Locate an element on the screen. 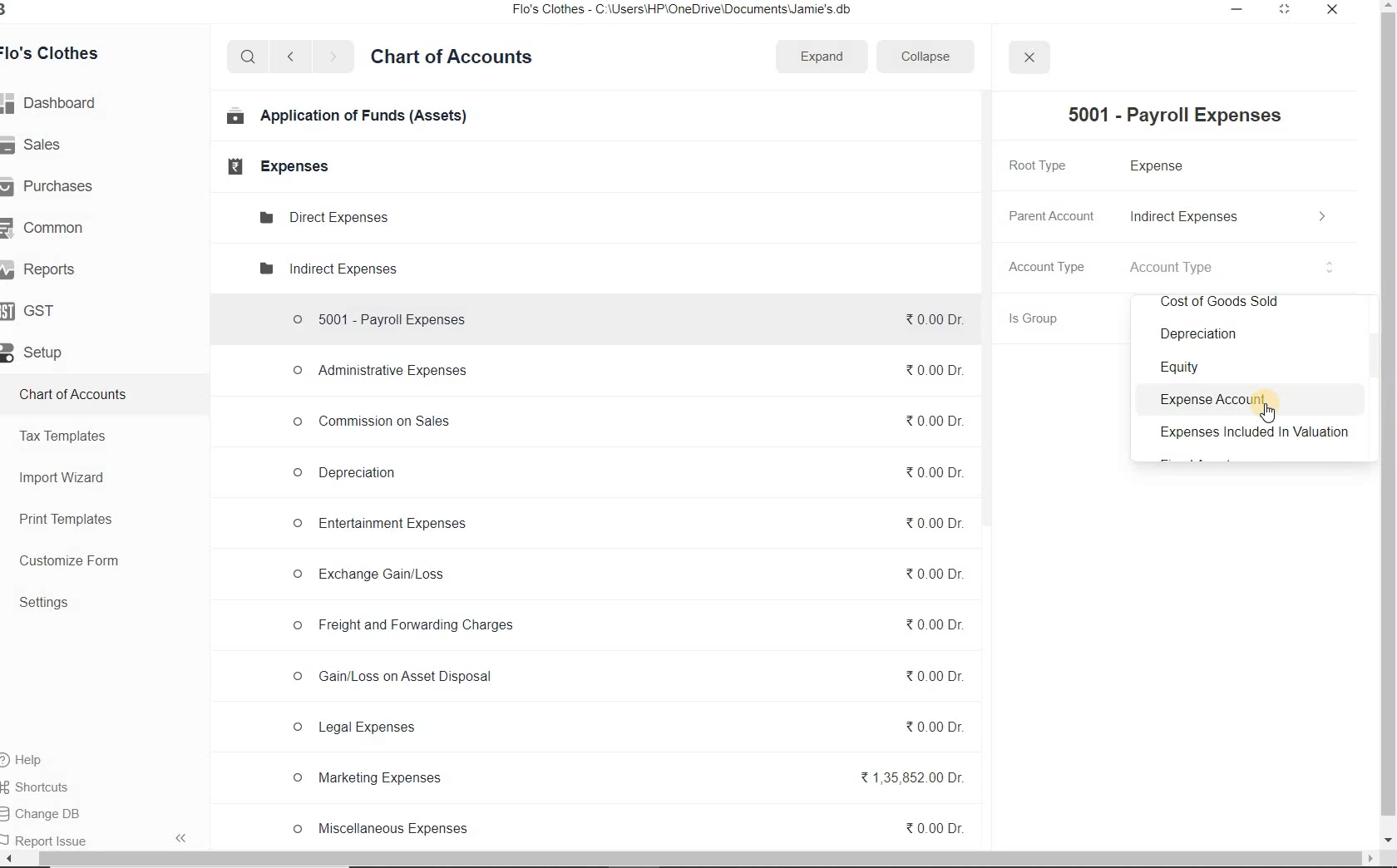  © Freight and Forwarding Charges 0.00 Dr. is located at coordinates (626, 629).